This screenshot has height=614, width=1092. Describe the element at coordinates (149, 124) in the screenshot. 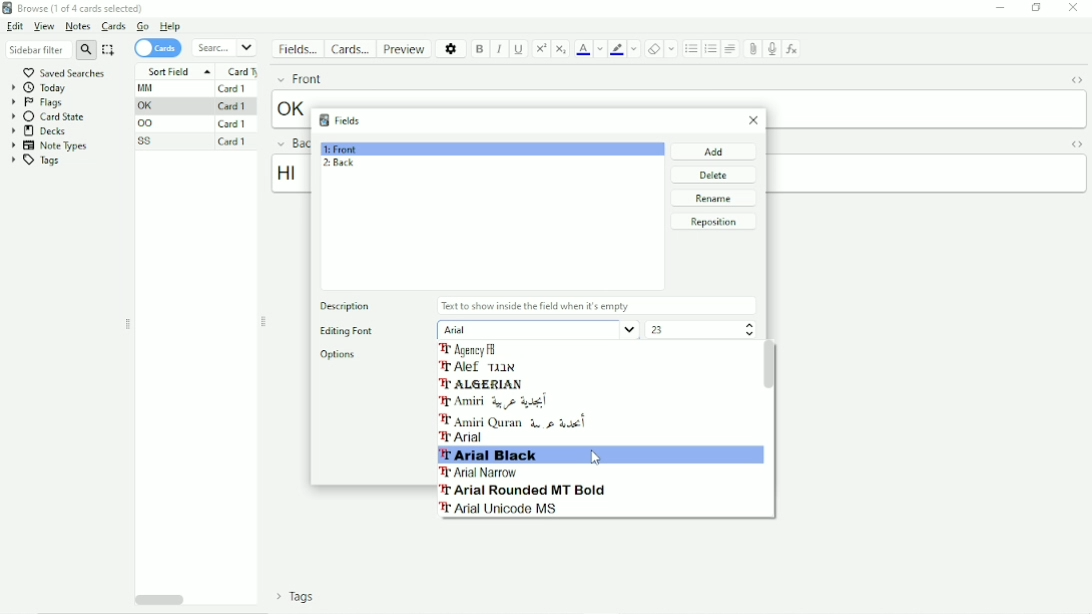

I see `OO` at that location.